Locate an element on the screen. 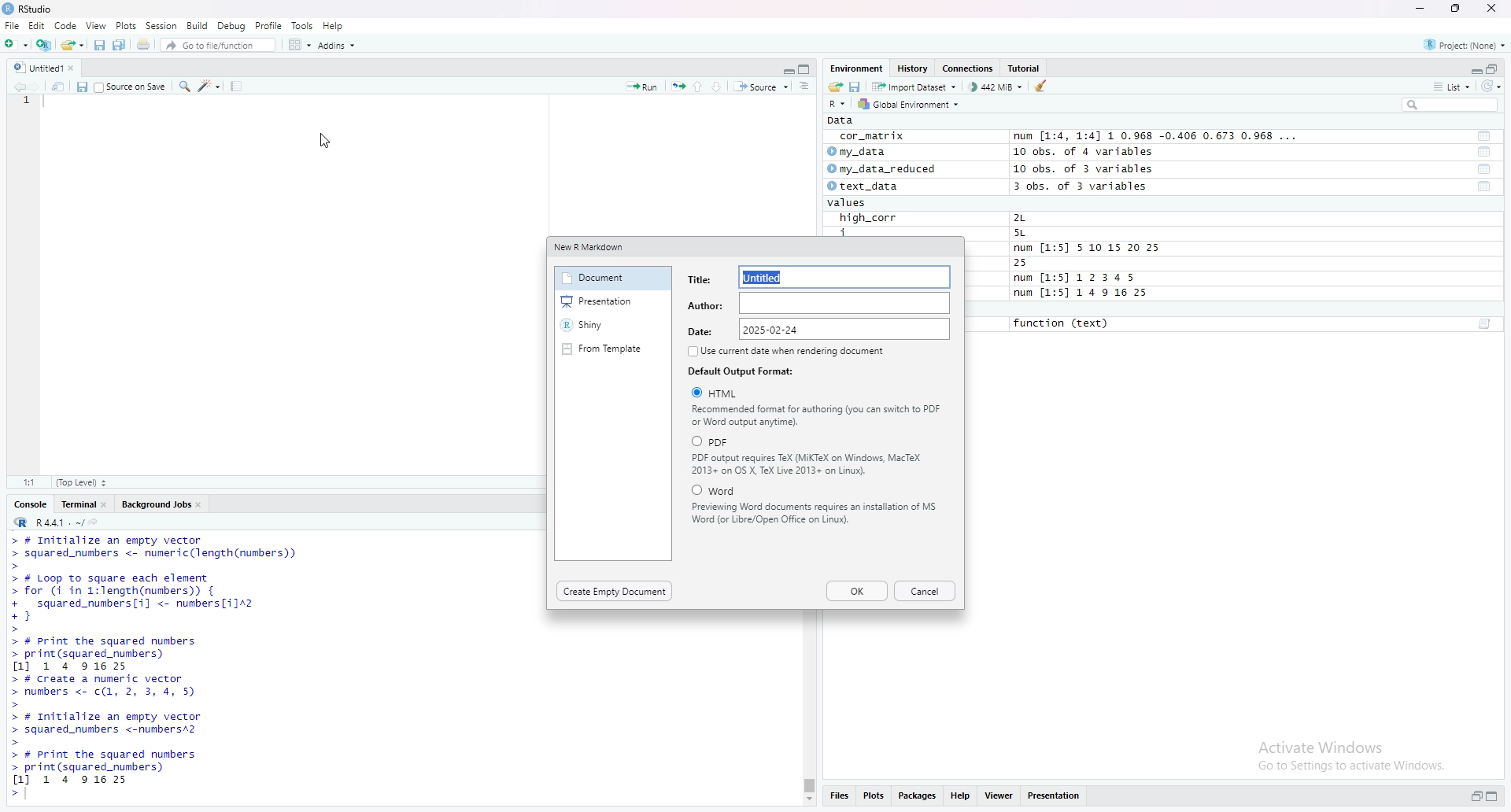 The width and height of the screenshot is (1511, 812). 10 obs. of 3 variables is located at coordinates (1098, 168).